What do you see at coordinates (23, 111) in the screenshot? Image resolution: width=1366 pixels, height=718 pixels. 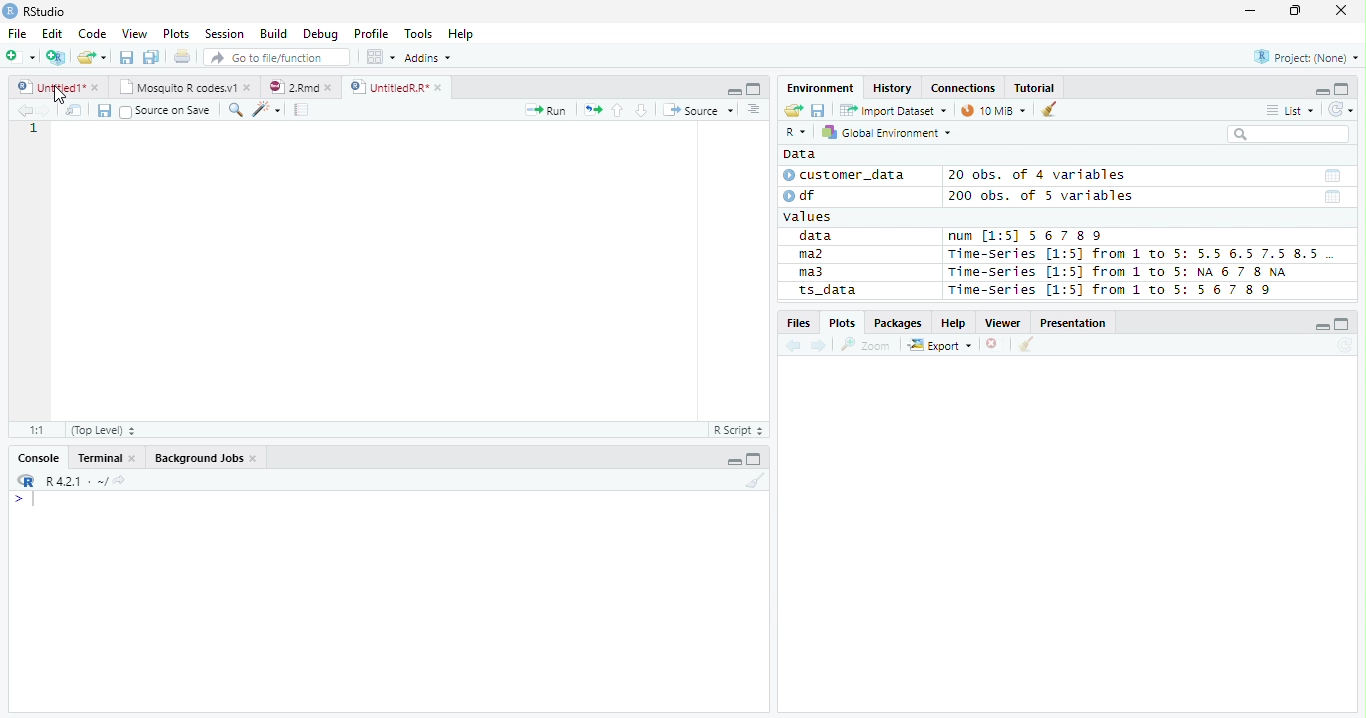 I see `Previous` at bounding box center [23, 111].